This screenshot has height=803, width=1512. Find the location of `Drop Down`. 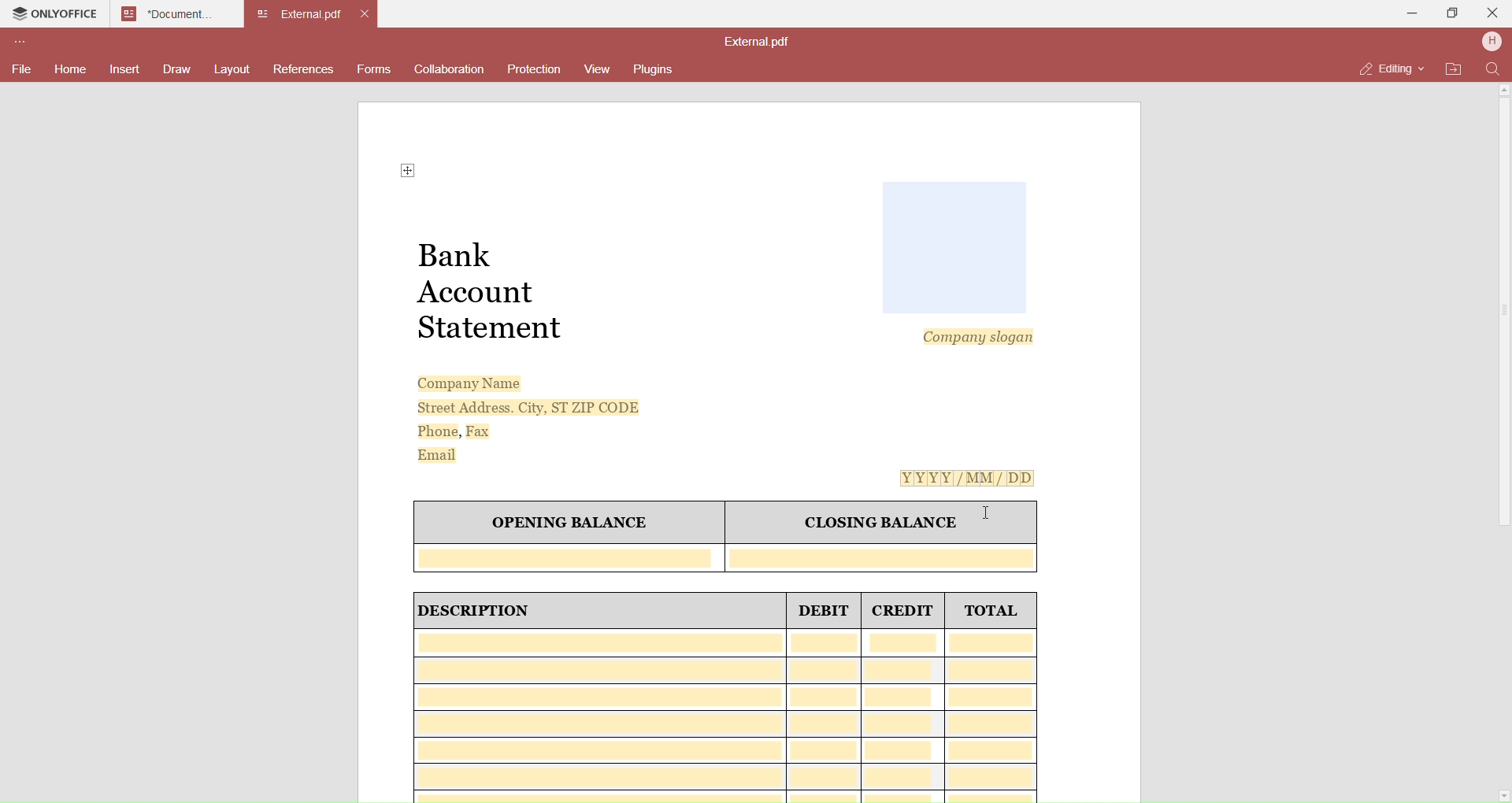

Drop Down is located at coordinates (1424, 67).